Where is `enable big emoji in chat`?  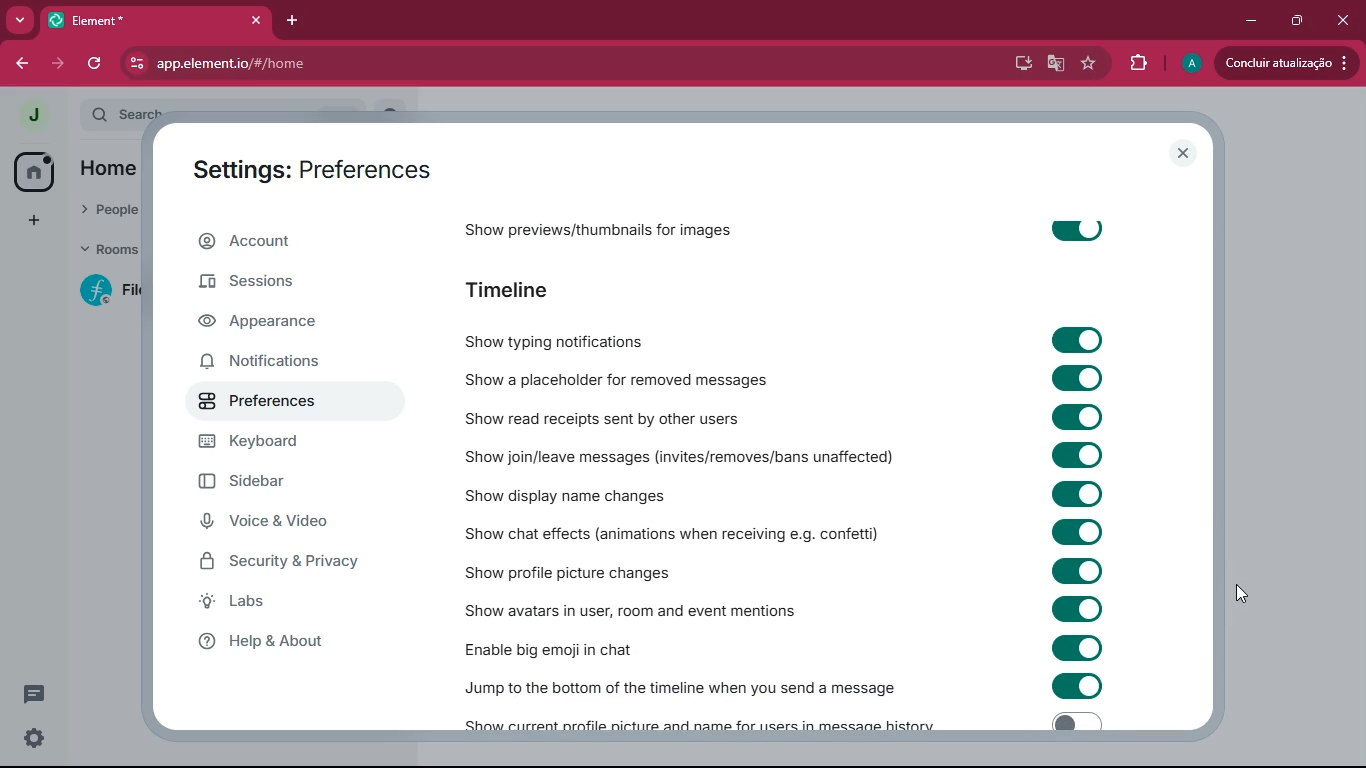 enable big emoji in chat is located at coordinates (565, 645).